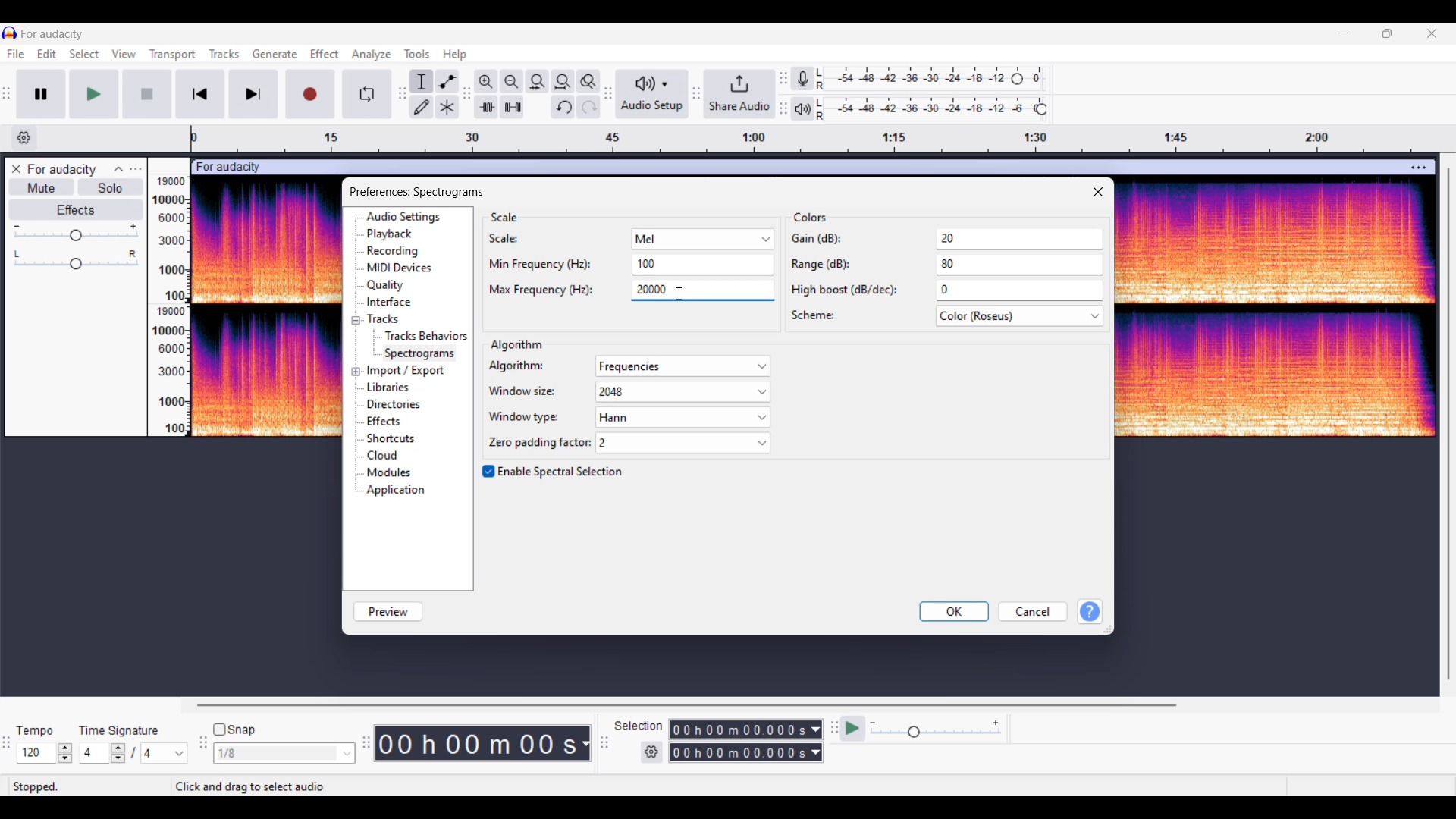  What do you see at coordinates (399, 439) in the screenshot?
I see `shortcuts` at bounding box center [399, 439].